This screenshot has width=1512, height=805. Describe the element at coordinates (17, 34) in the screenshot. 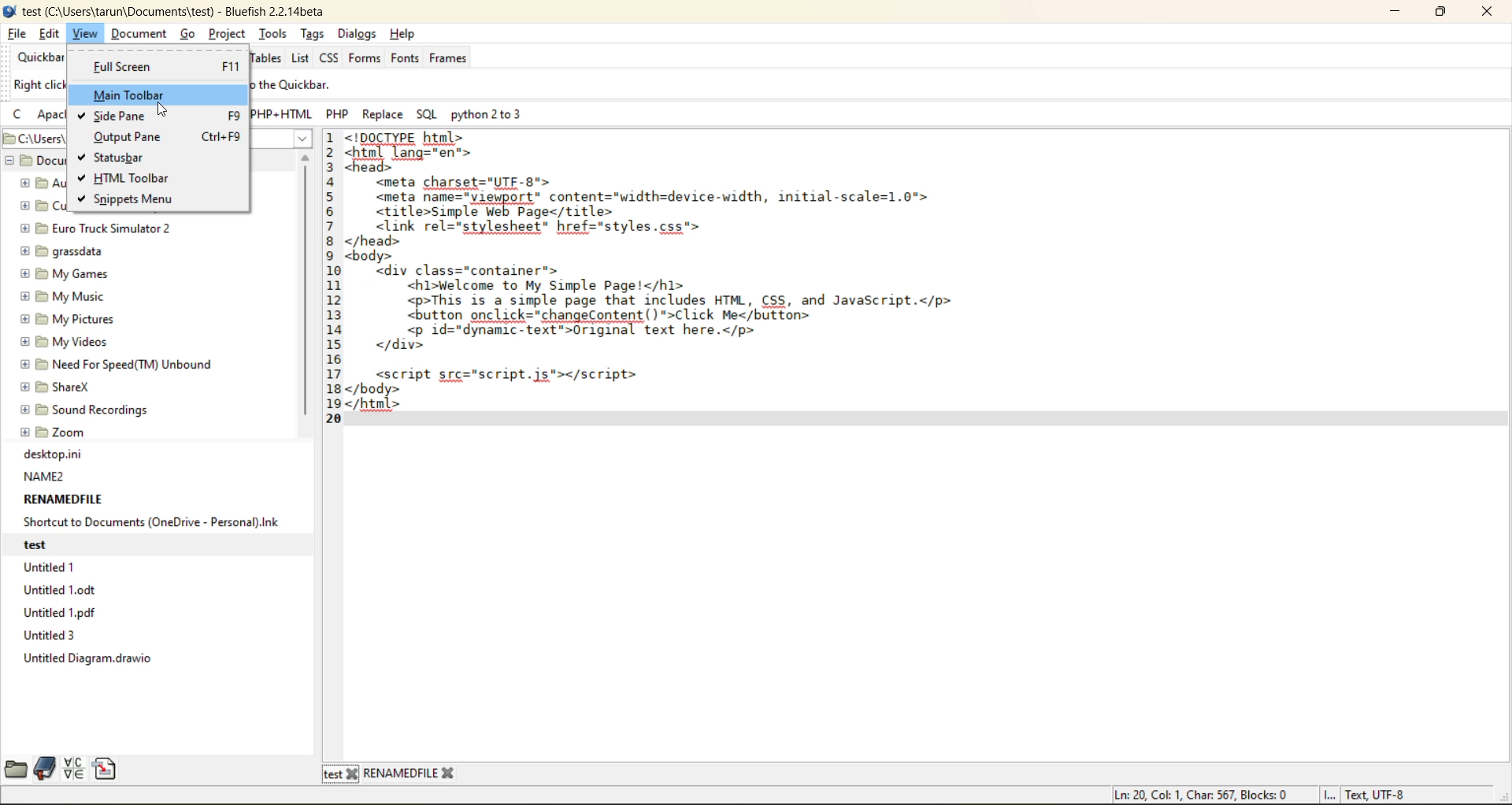

I see `file` at that location.